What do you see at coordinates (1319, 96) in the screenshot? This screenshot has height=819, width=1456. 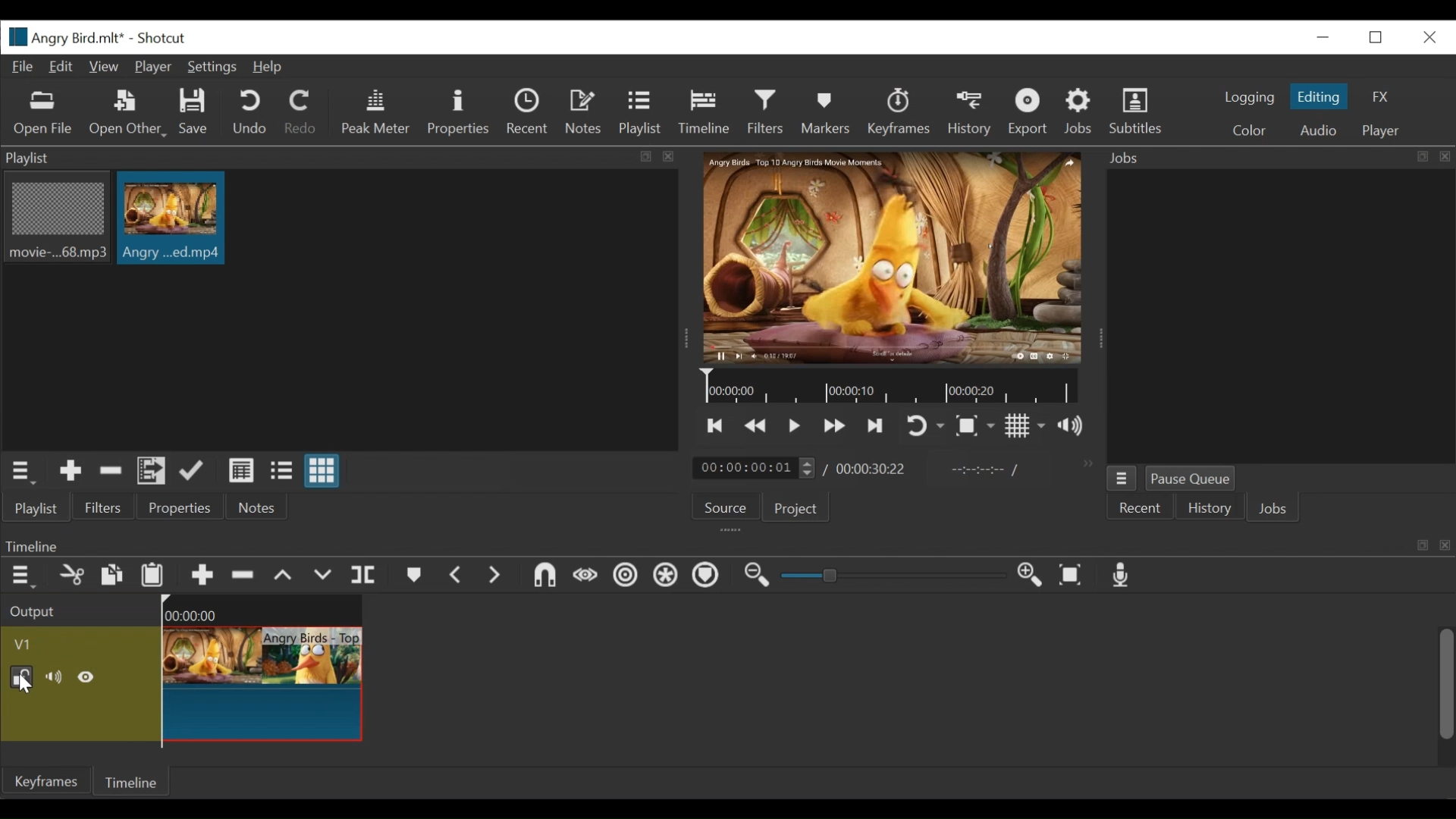 I see `Editing` at bounding box center [1319, 96].